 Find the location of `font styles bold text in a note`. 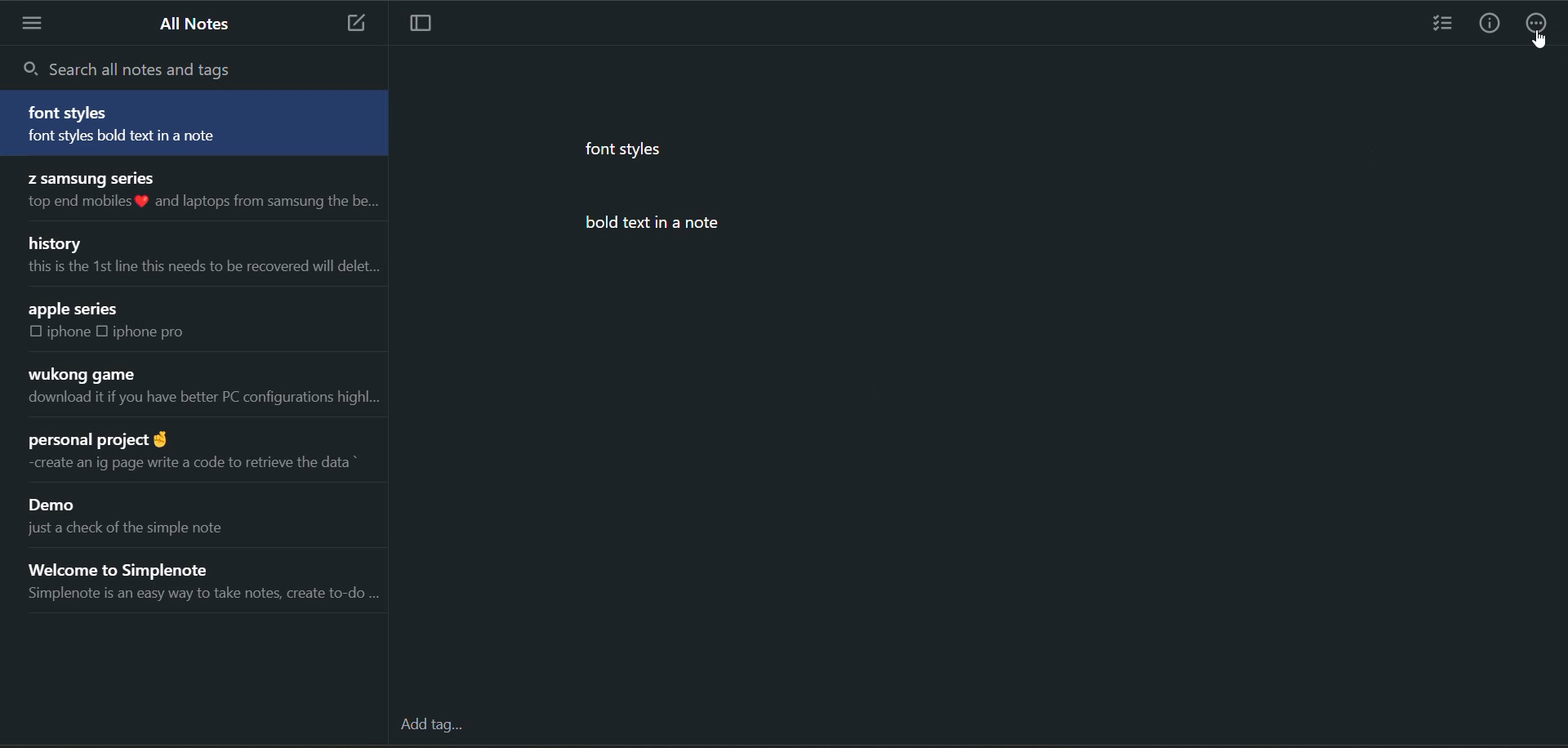

font styles bold text in a note is located at coordinates (154, 138).